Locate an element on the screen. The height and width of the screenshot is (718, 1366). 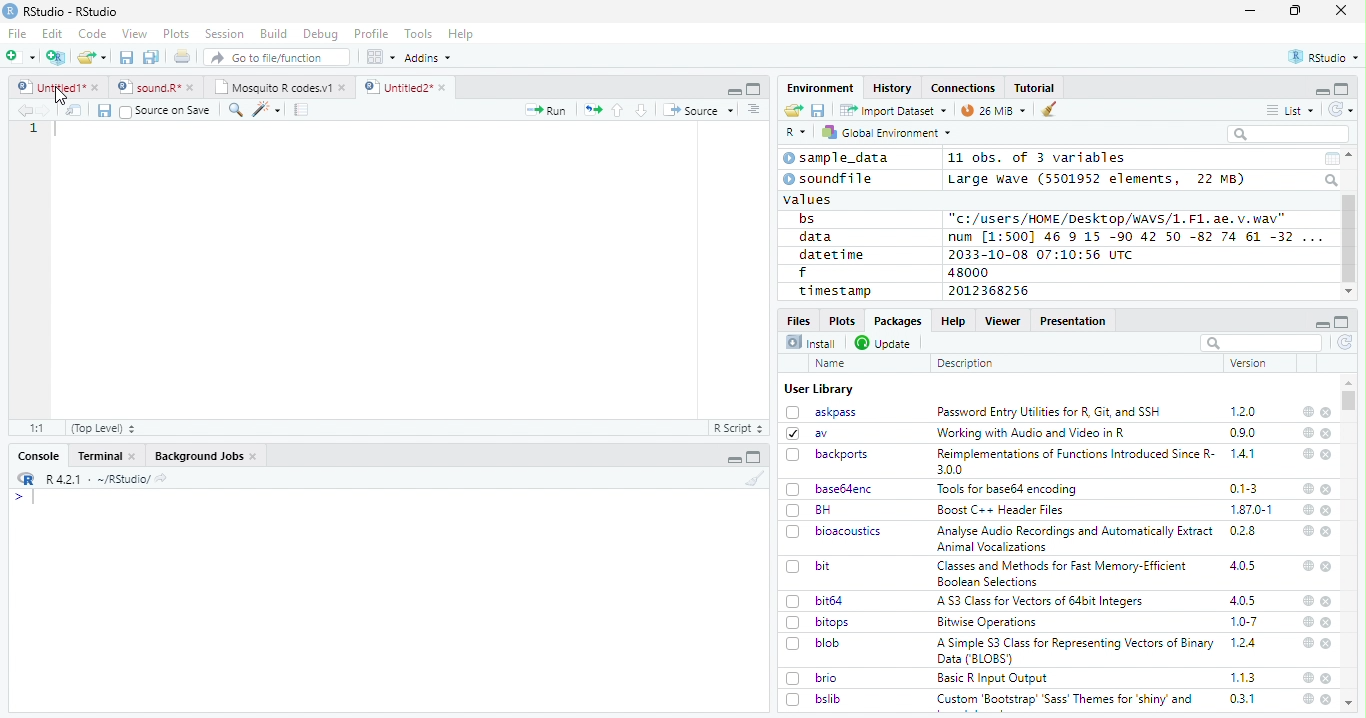
Edit is located at coordinates (52, 33).